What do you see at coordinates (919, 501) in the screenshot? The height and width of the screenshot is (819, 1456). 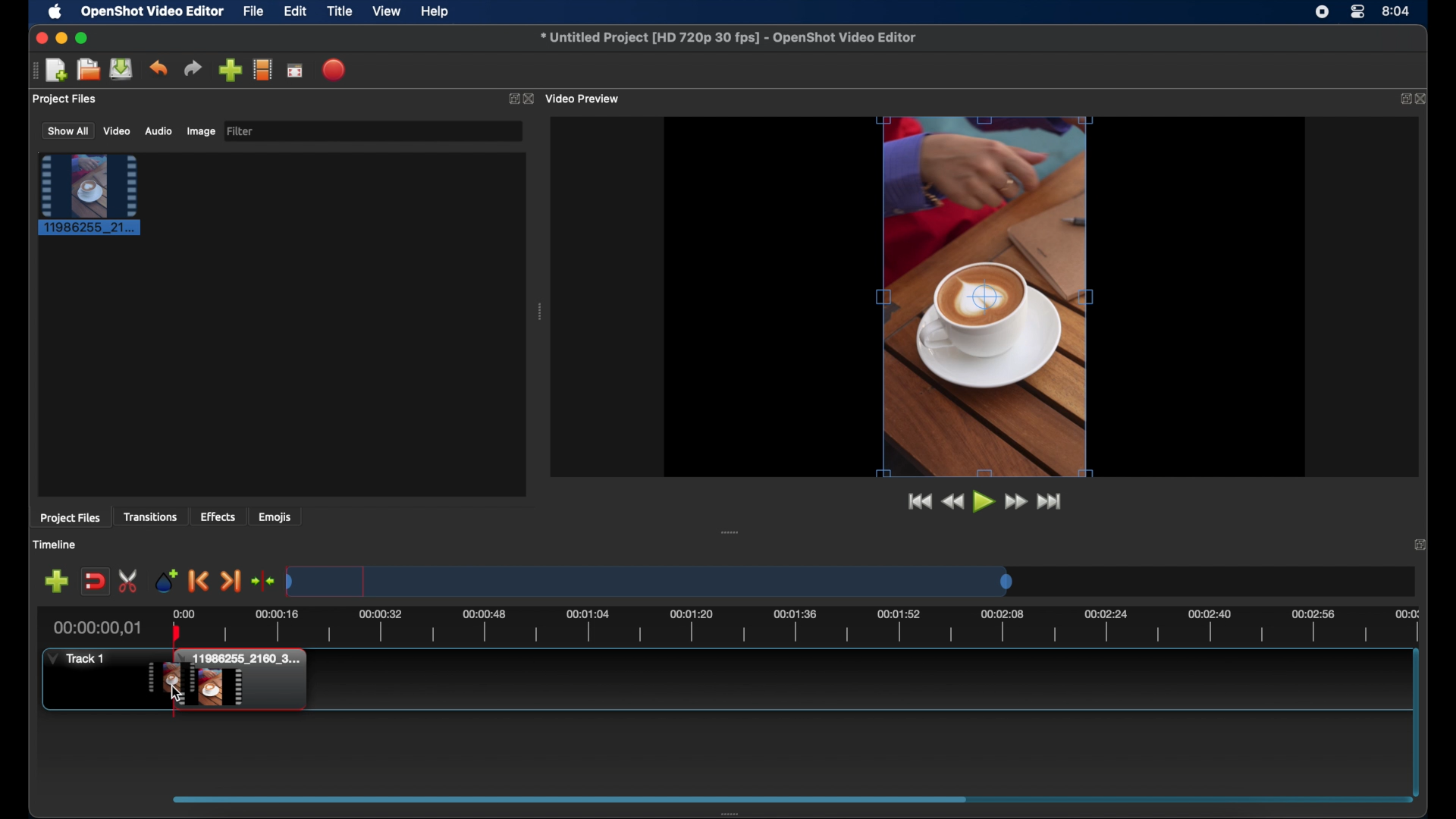 I see `jump to start` at bounding box center [919, 501].